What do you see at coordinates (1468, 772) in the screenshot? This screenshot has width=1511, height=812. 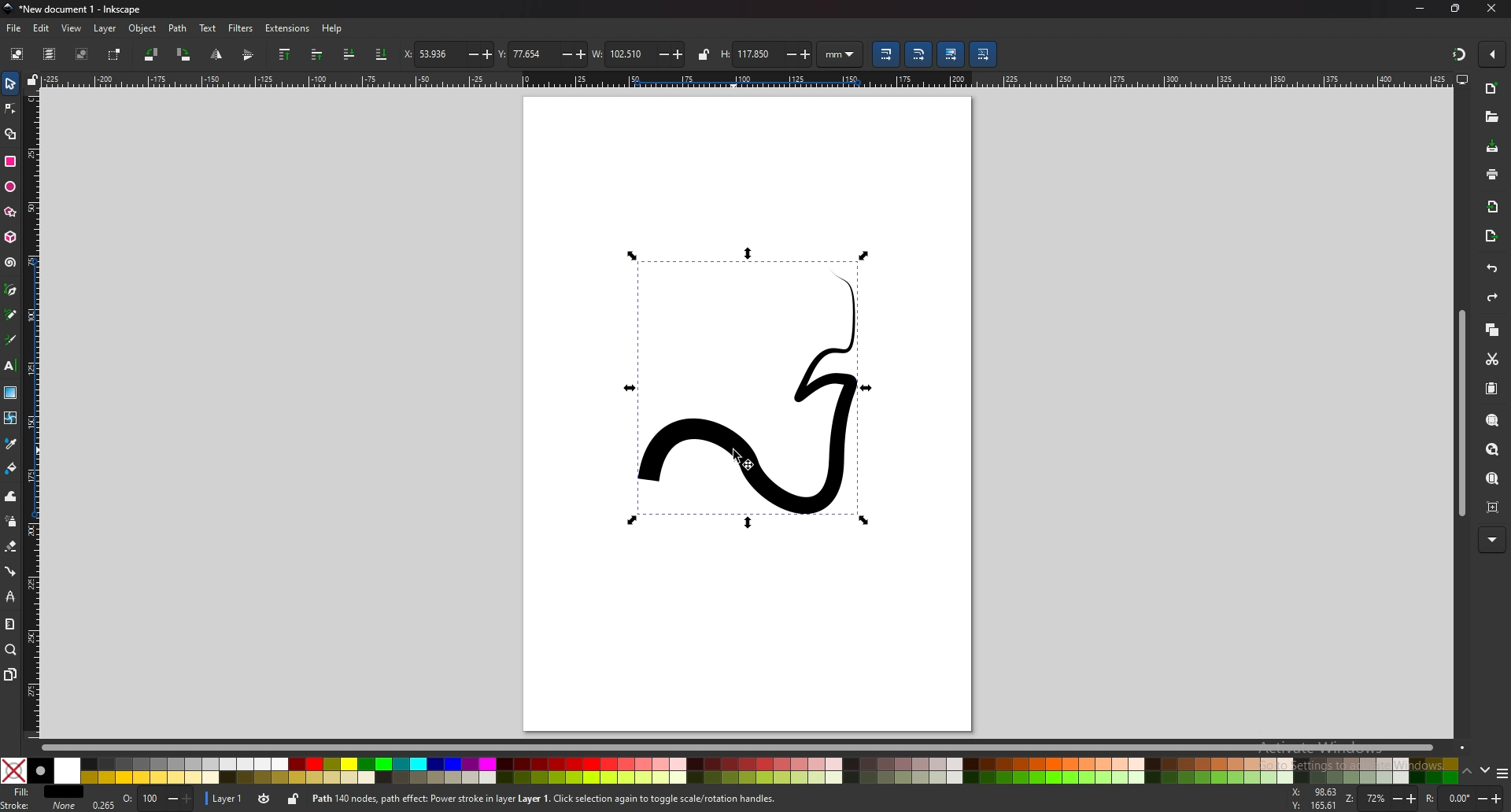 I see `up` at bounding box center [1468, 772].